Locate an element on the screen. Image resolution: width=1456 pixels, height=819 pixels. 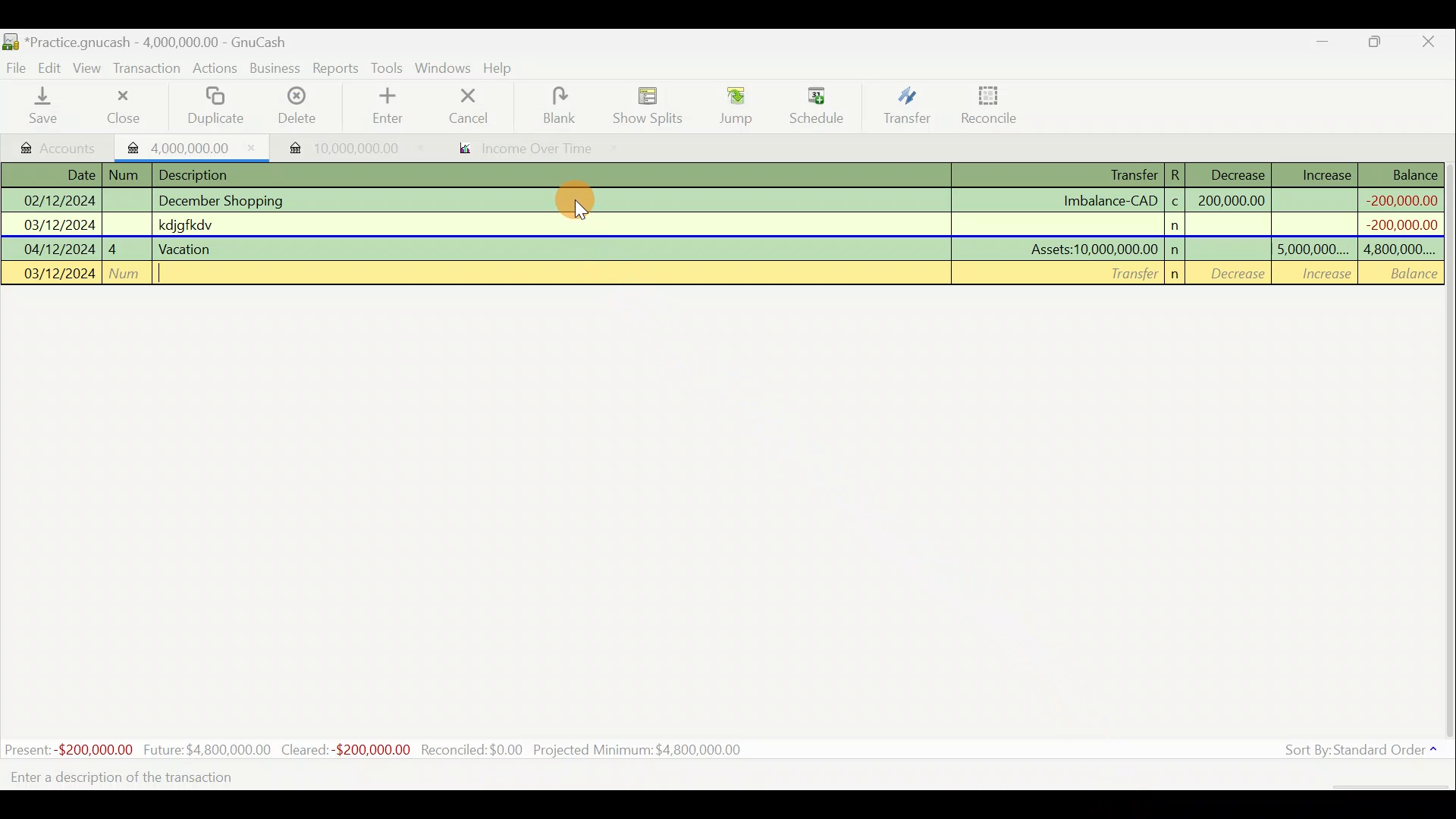
Close is located at coordinates (122, 106).